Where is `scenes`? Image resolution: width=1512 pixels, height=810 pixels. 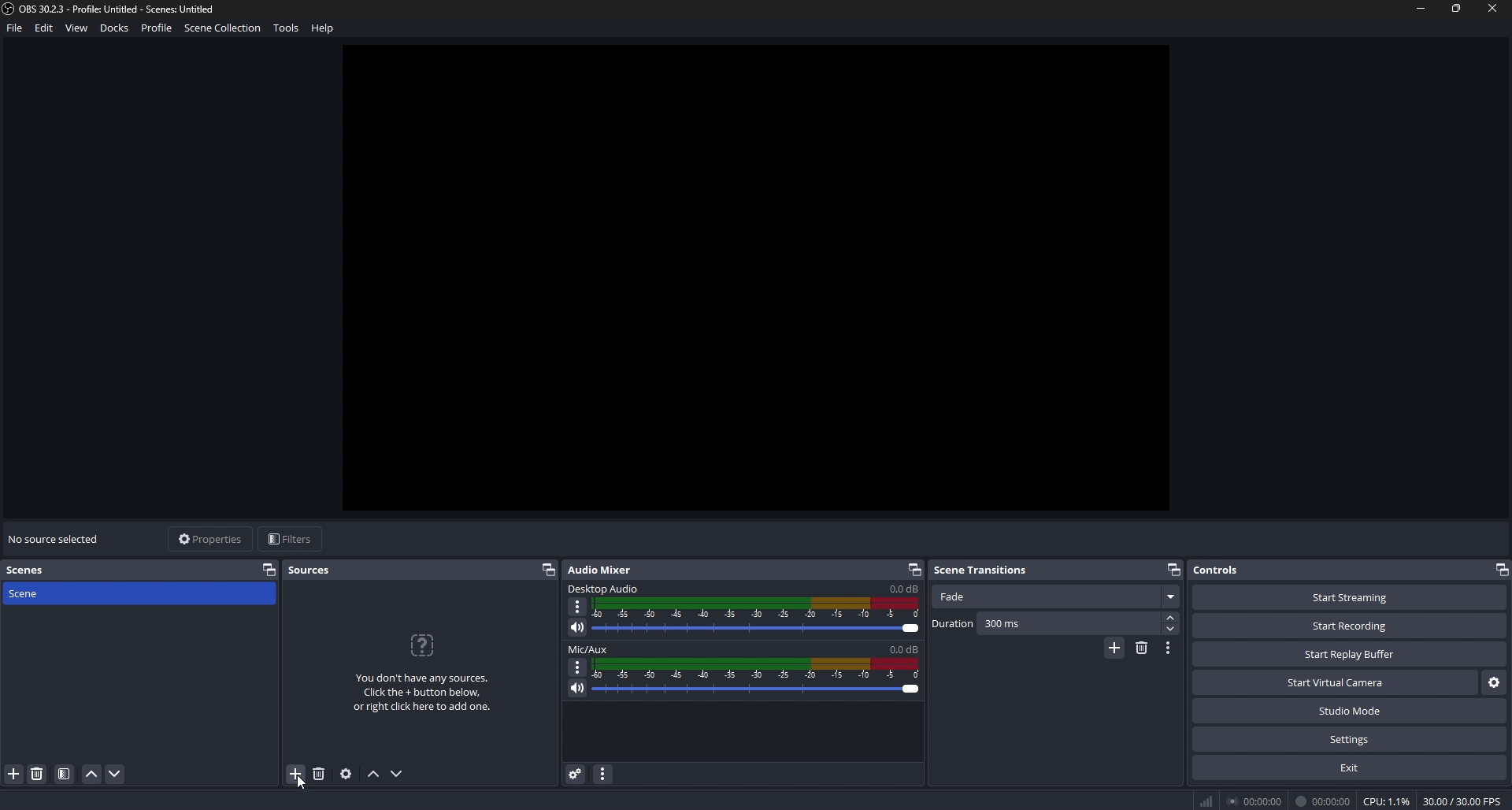
scenes is located at coordinates (29, 570).